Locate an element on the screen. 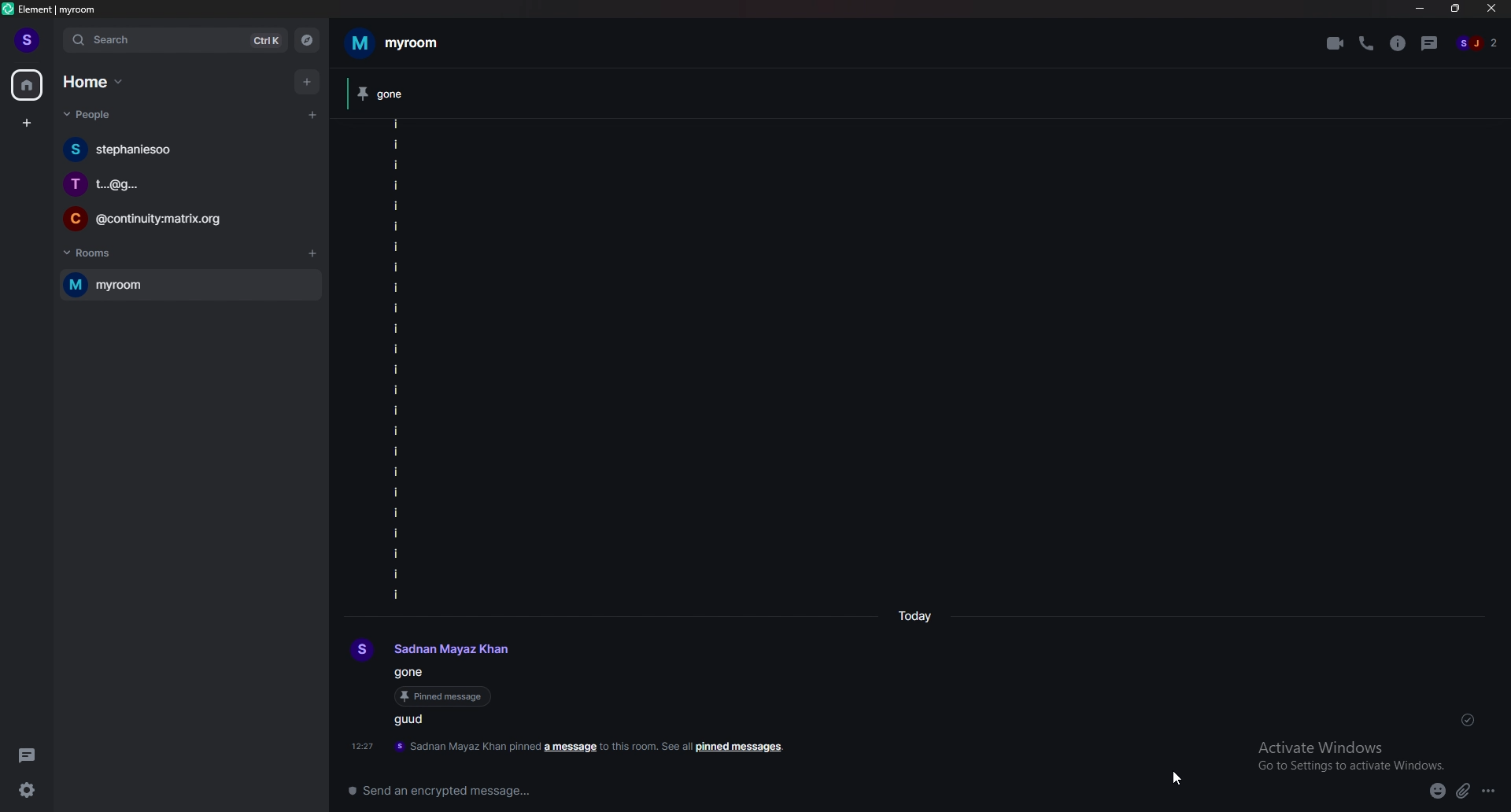 The image size is (1511, 812). room is located at coordinates (190, 283).